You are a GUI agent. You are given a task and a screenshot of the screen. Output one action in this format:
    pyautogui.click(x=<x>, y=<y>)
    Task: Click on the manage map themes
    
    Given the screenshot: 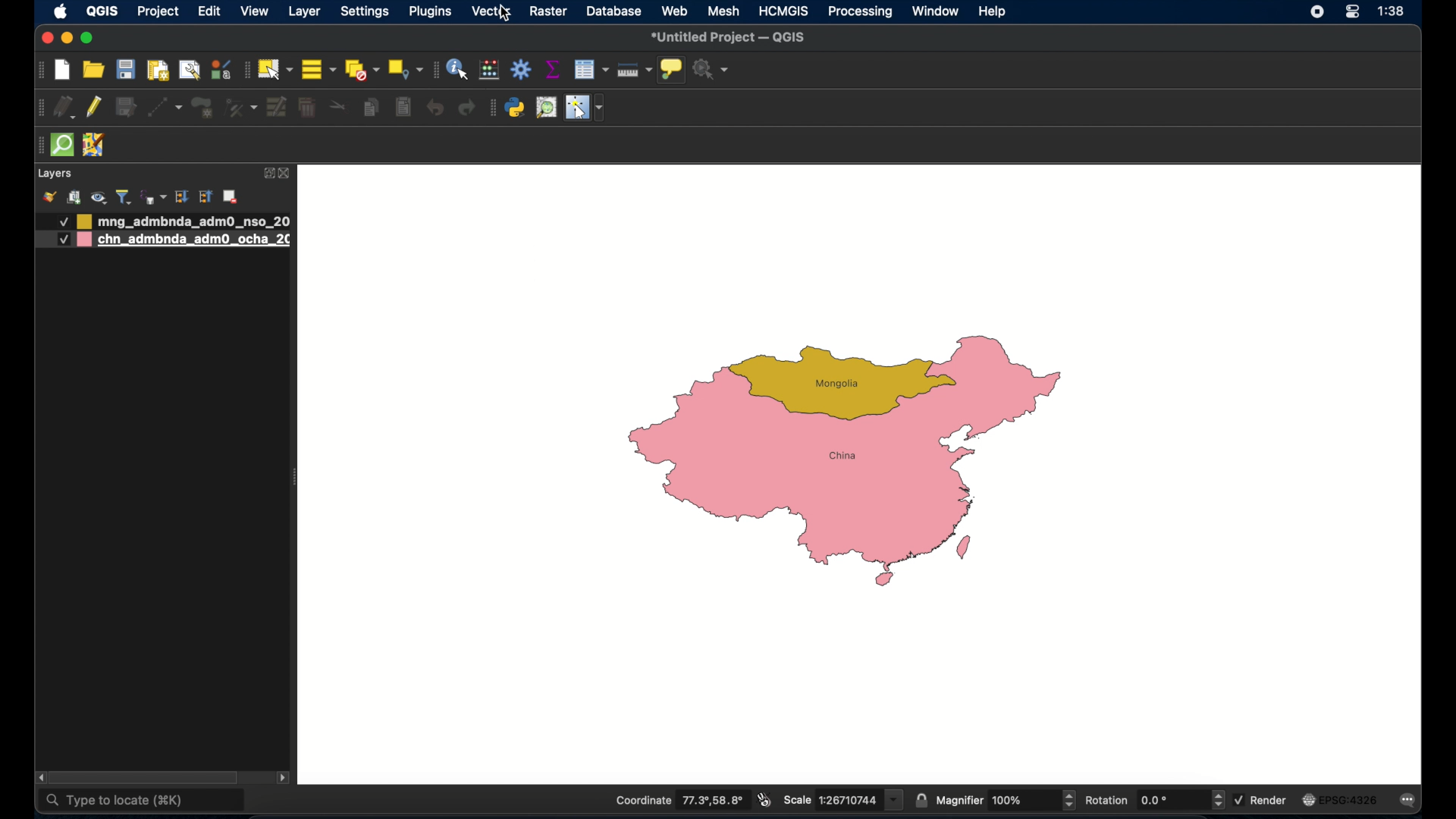 What is the action you would take?
    pyautogui.click(x=98, y=197)
    